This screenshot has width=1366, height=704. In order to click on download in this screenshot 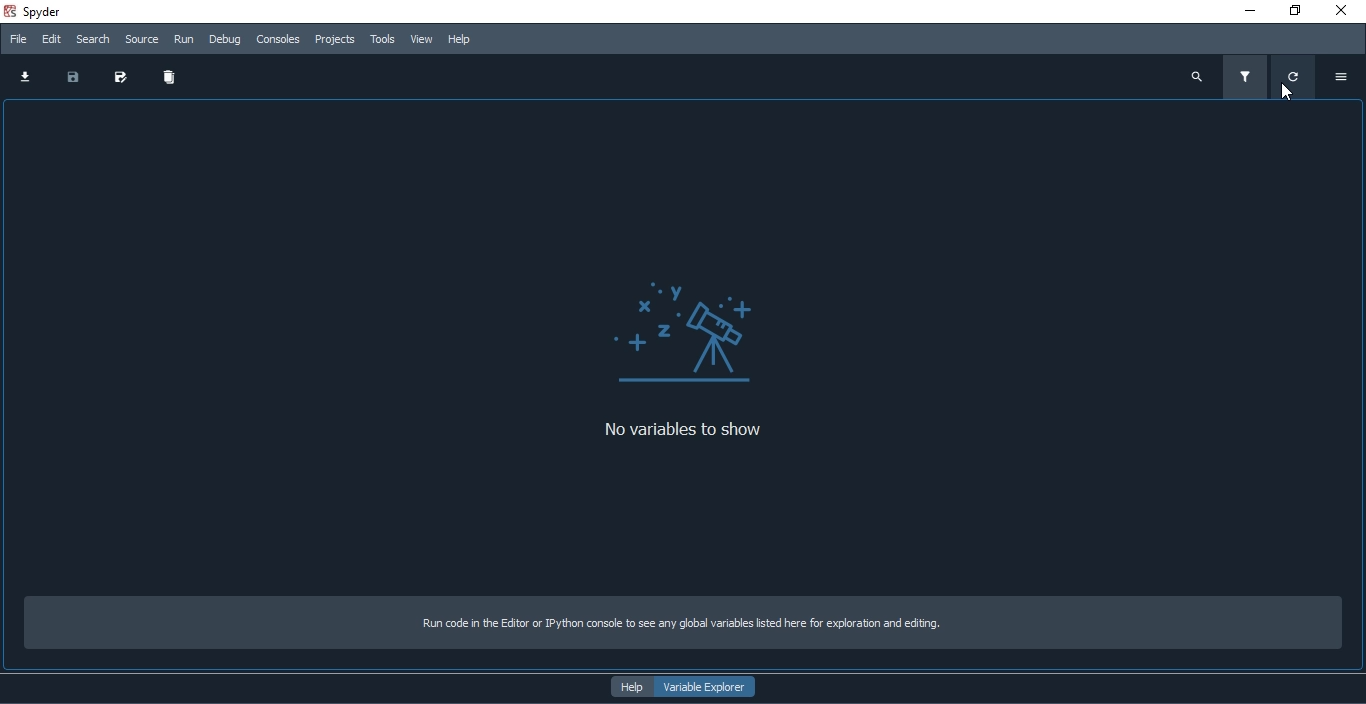, I will do `click(20, 75)`.